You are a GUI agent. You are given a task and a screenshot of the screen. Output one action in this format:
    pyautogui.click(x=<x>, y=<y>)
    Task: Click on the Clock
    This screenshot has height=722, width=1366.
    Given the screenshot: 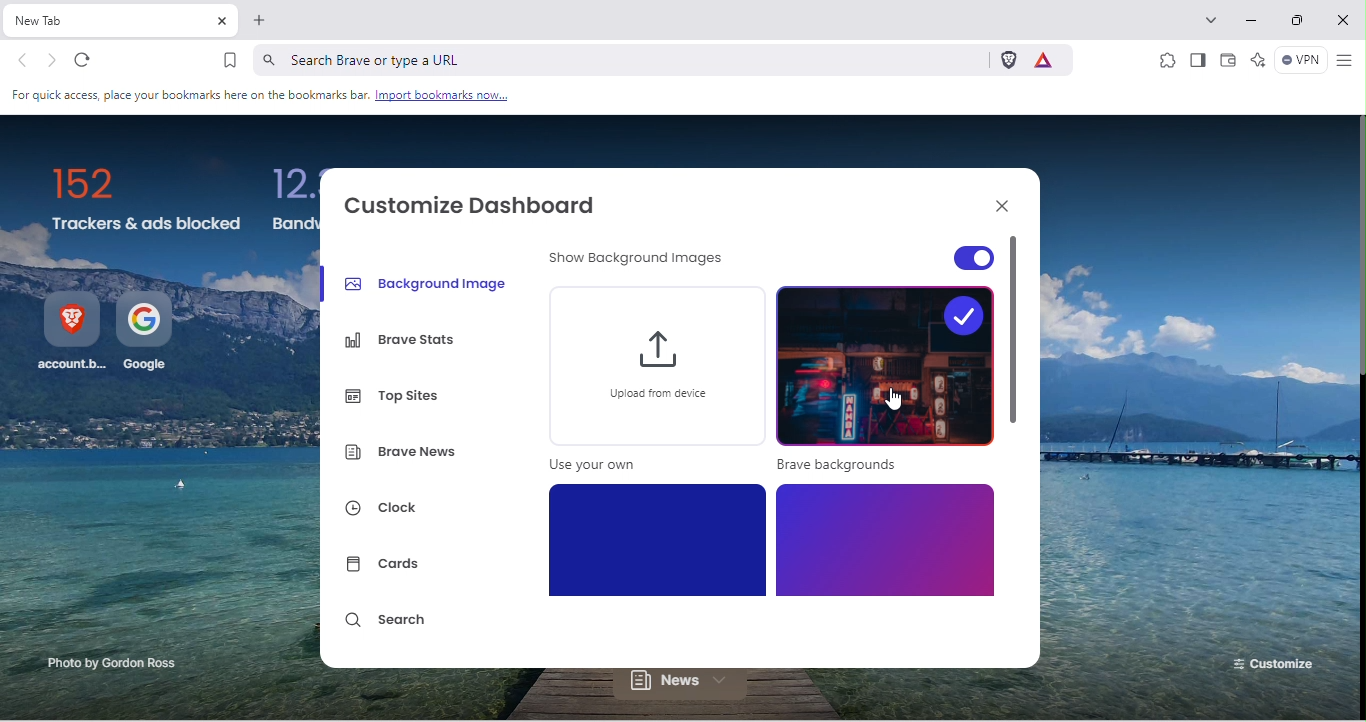 What is the action you would take?
    pyautogui.click(x=393, y=511)
    